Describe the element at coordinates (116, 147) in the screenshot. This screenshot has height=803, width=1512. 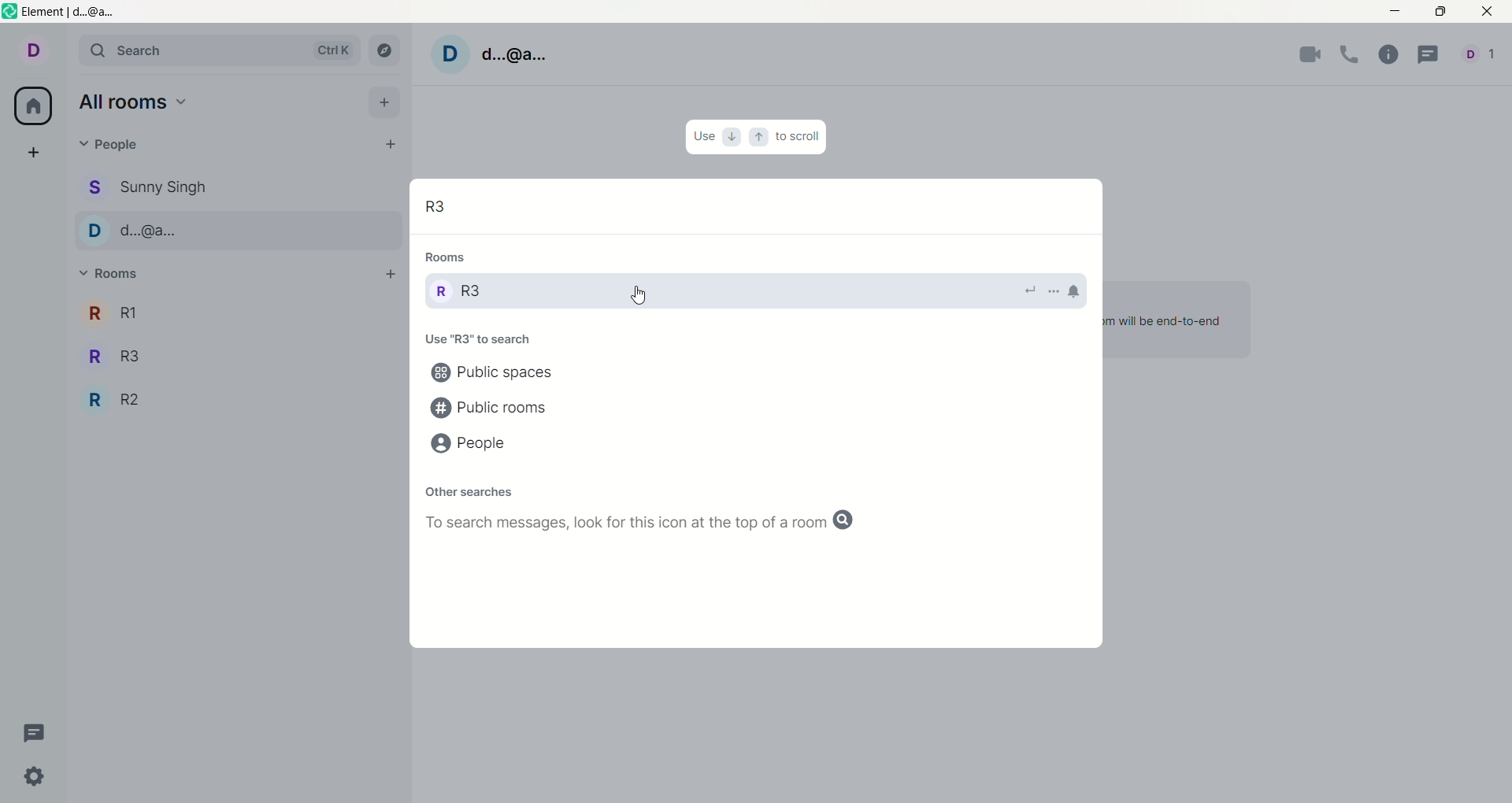
I see `people` at that location.